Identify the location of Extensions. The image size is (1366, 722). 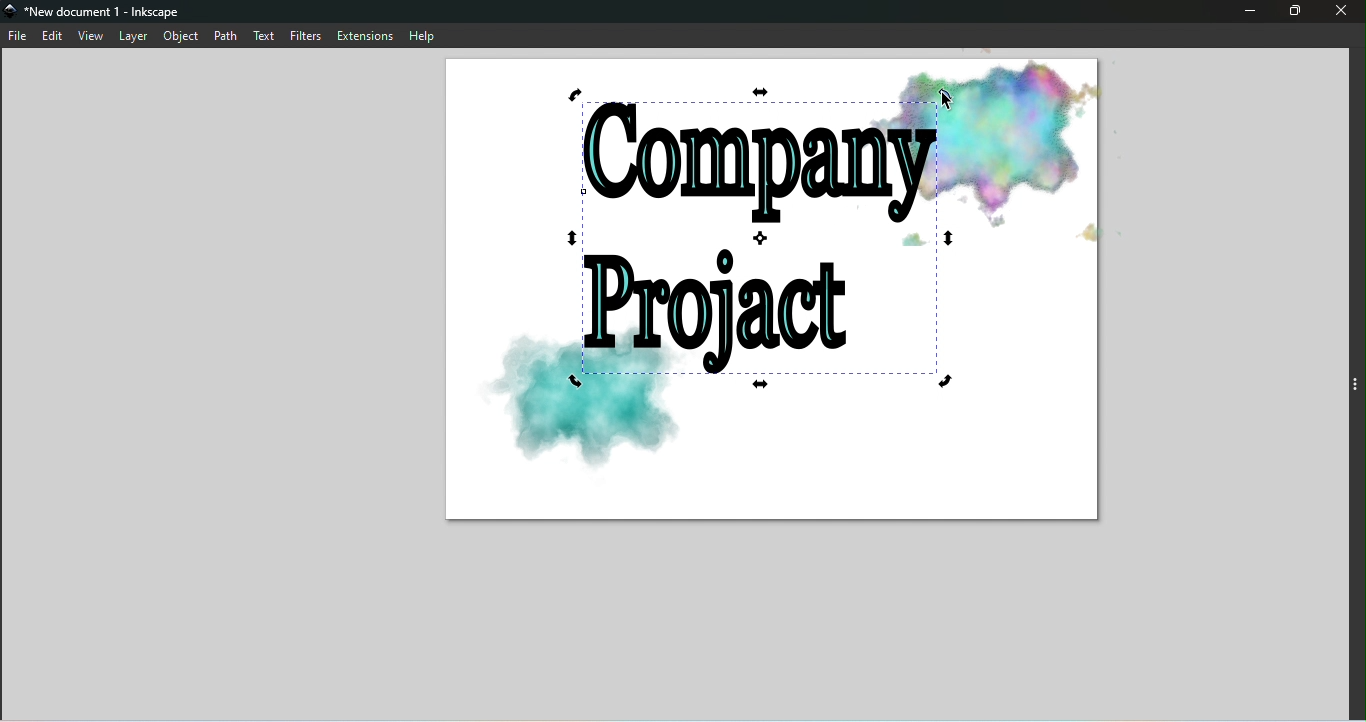
(365, 35).